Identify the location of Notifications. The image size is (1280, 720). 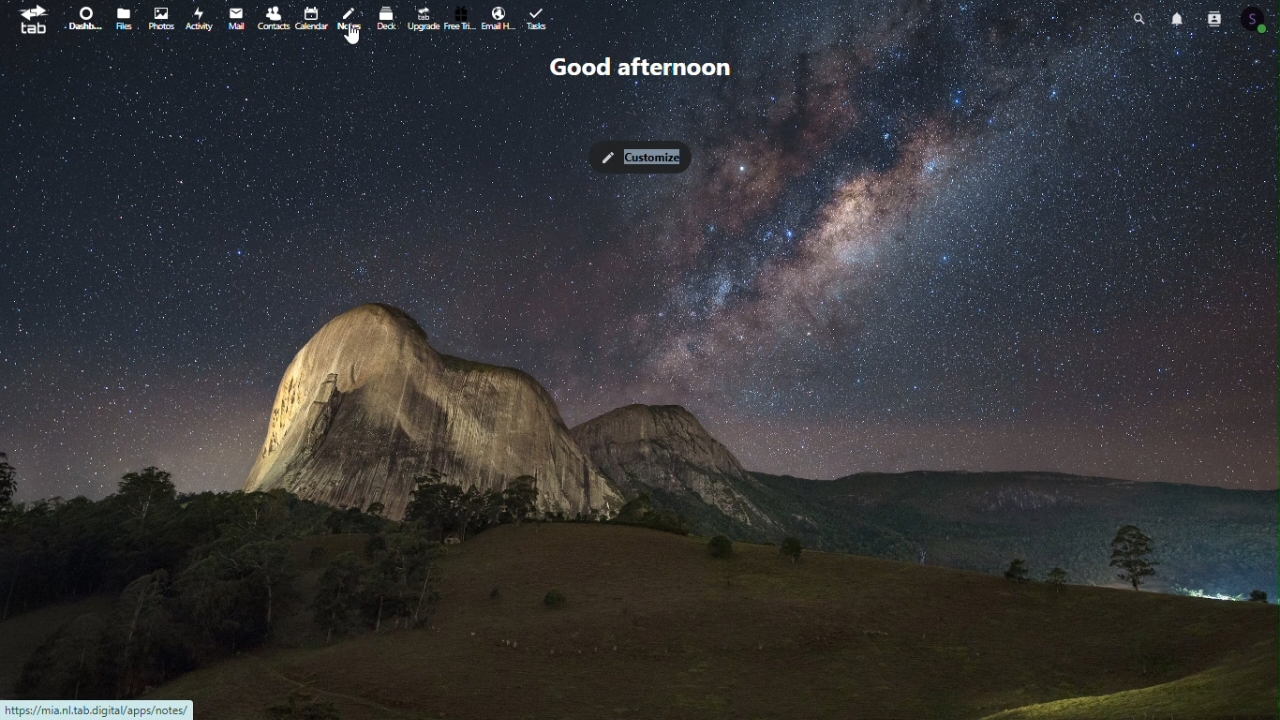
(1174, 17).